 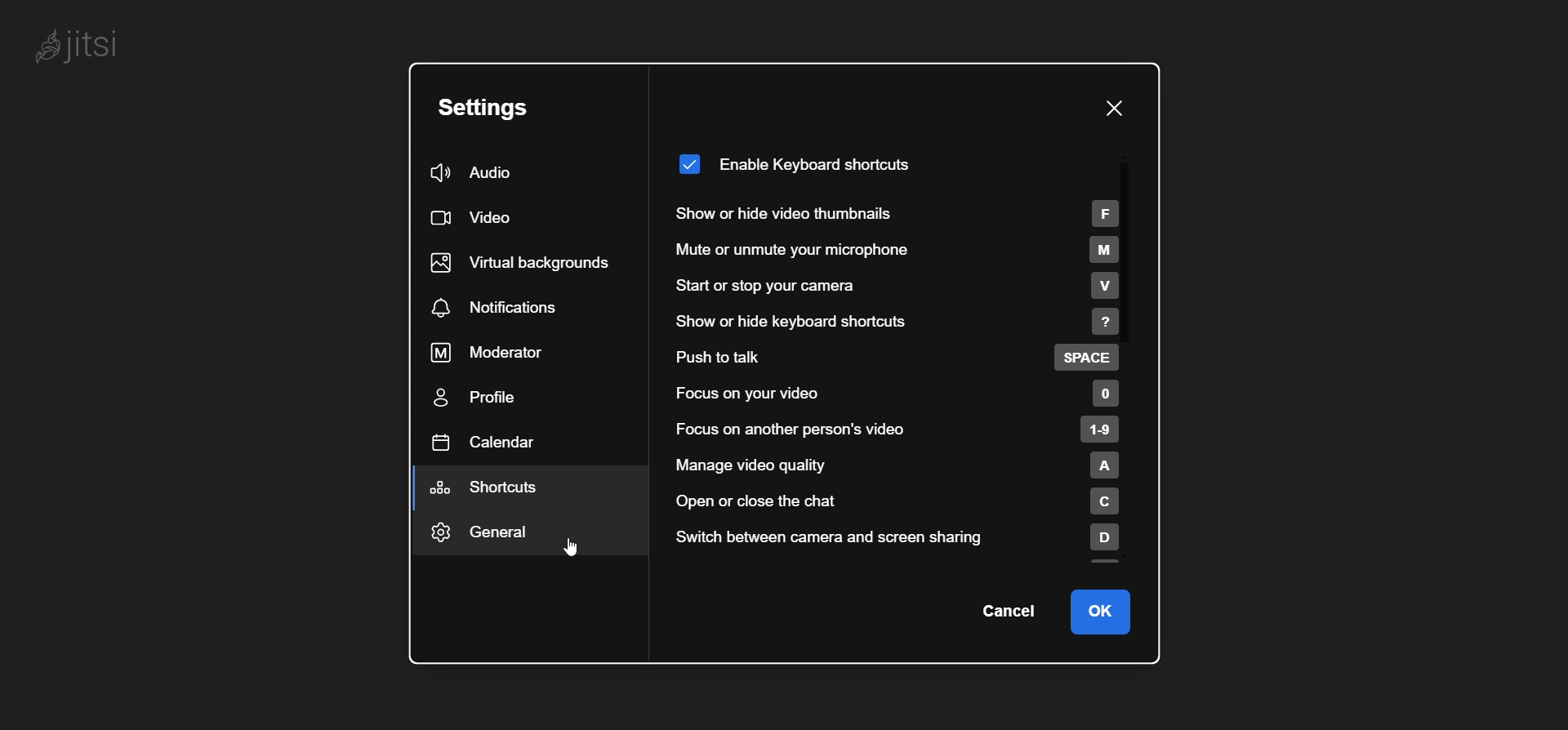 What do you see at coordinates (82, 47) in the screenshot?
I see `jitsi` at bounding box center [82, 47].